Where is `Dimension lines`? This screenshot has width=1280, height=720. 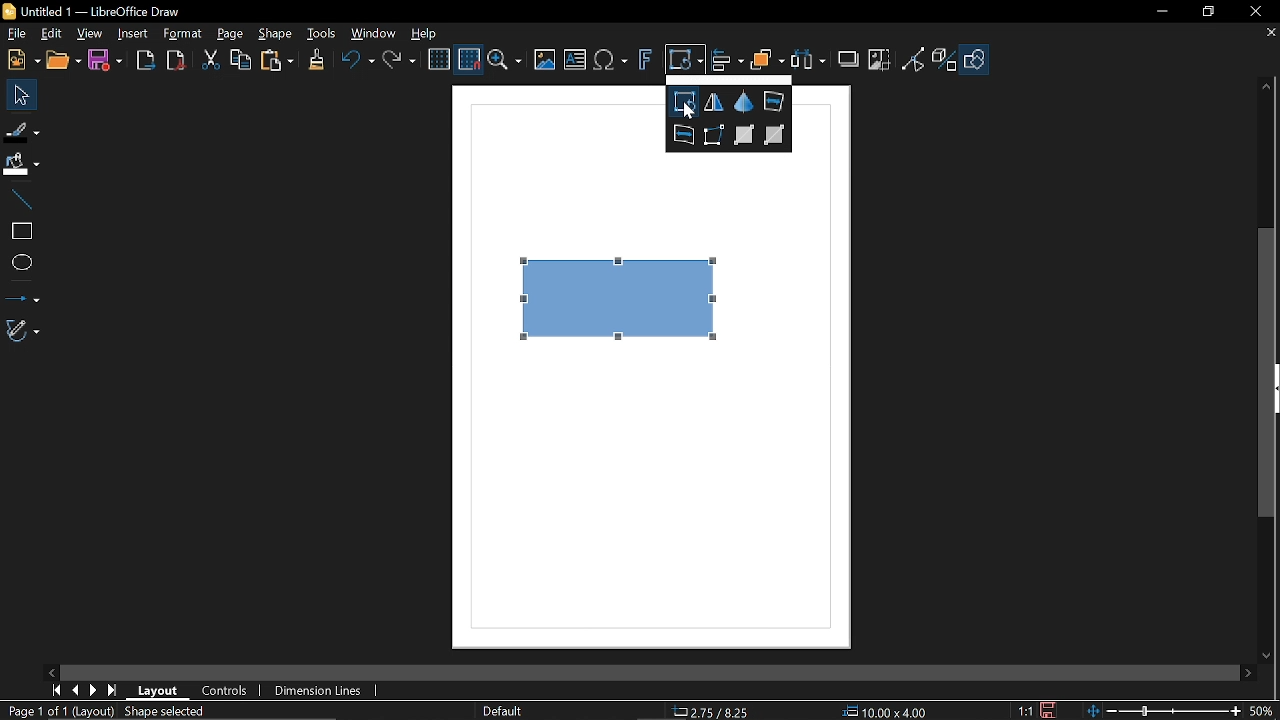 Dimension lines is located at coordinates (322, 692).